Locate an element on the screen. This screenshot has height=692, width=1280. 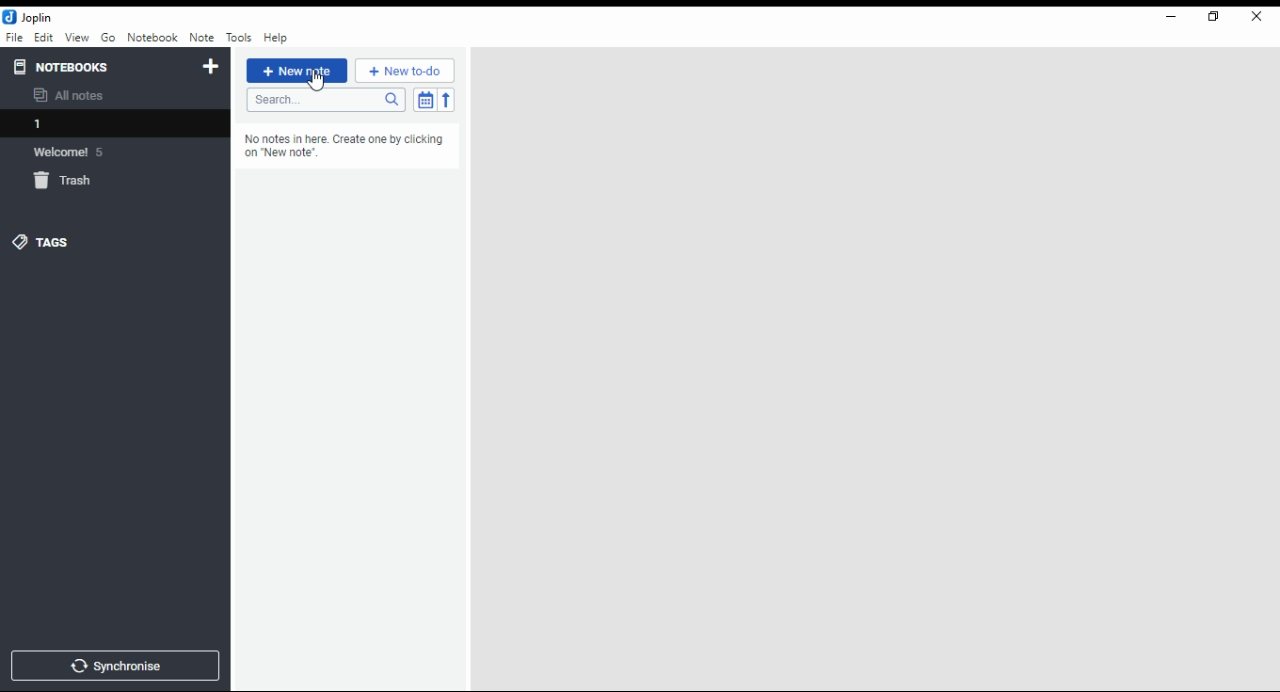
maximize is located at coordinates (1214, 17).